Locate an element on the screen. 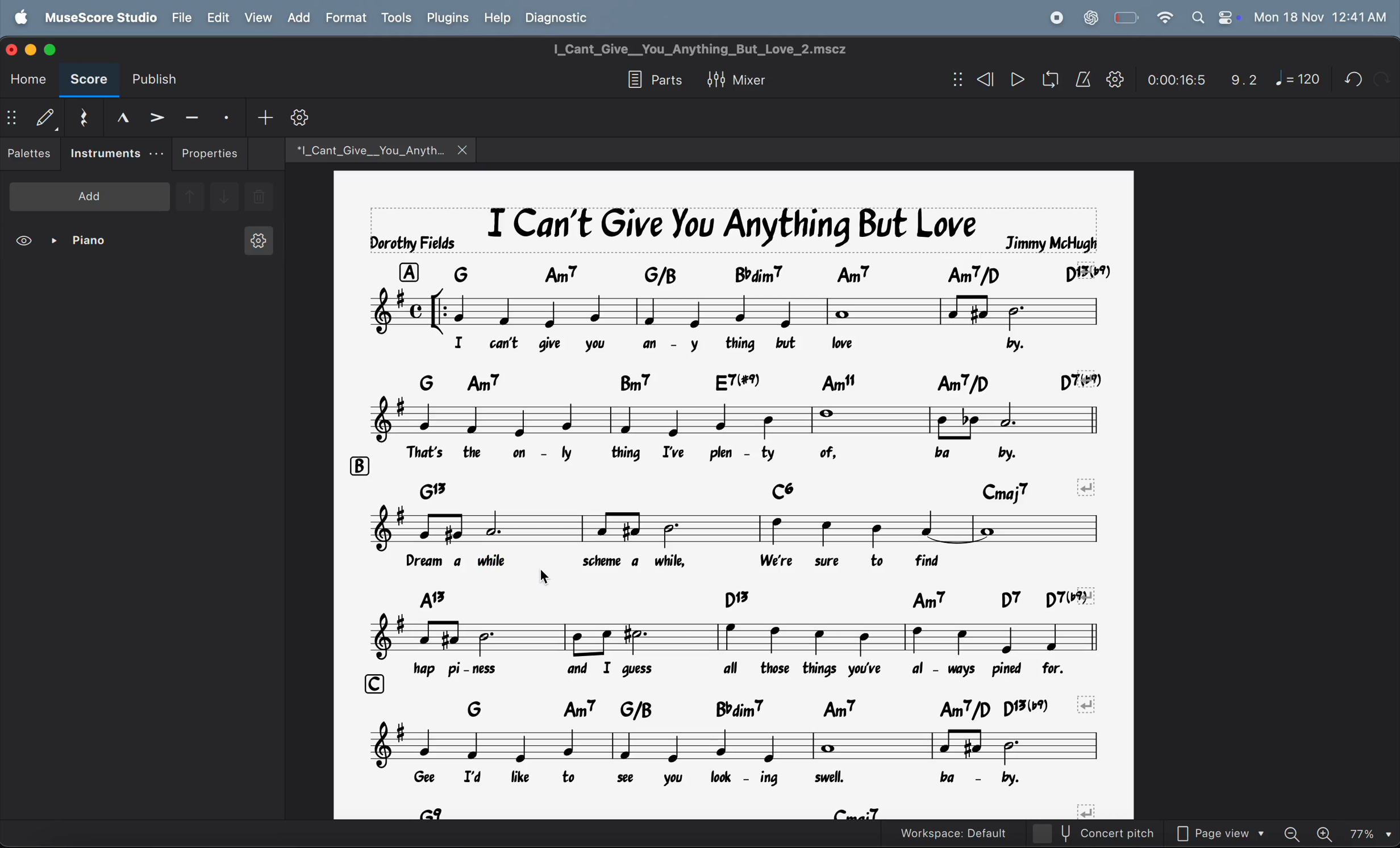 This screenshot has height=848, width=1400. metronome is located at coordinates (1083, 79).